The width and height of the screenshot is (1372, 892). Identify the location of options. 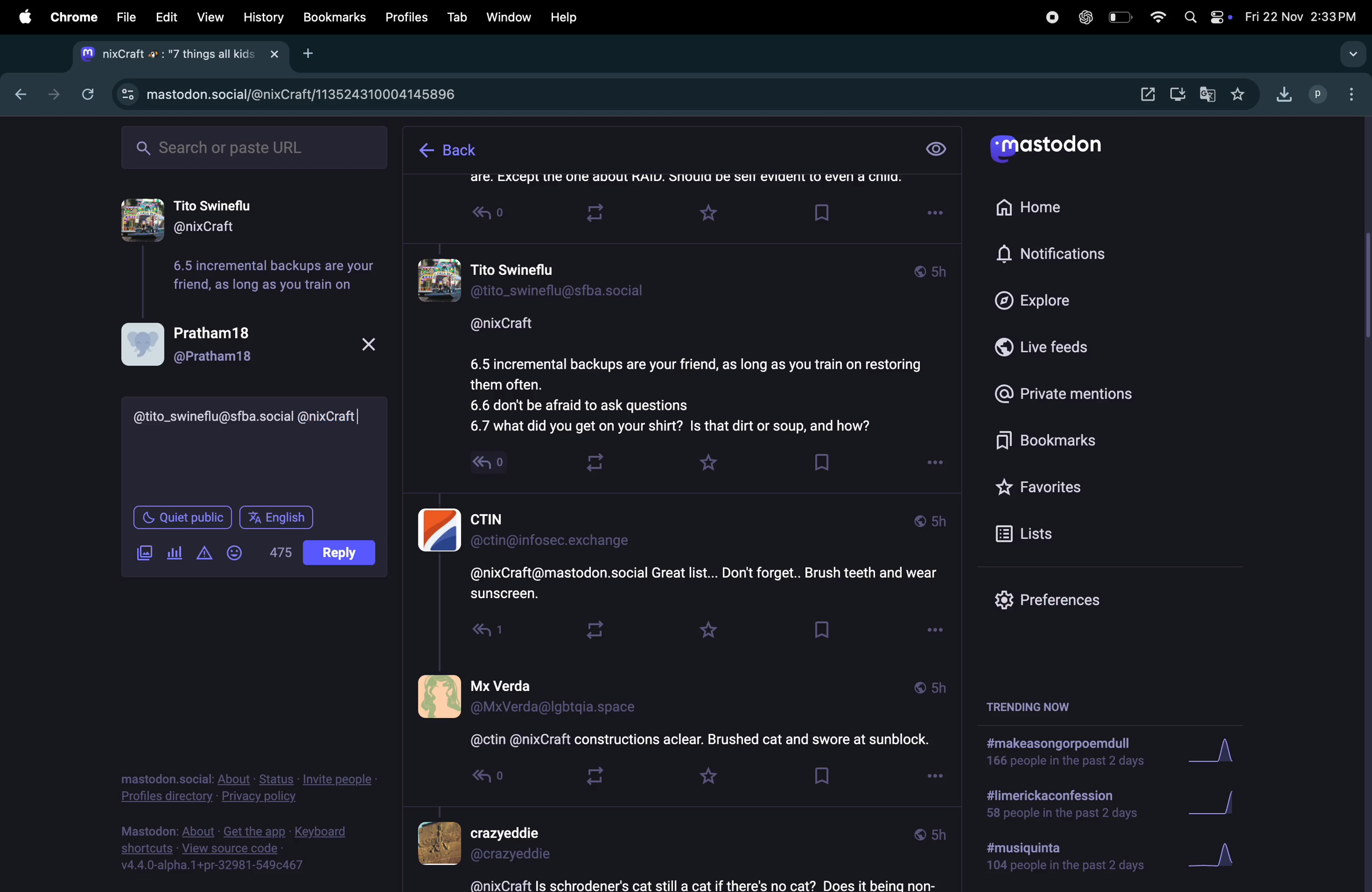
(934, 777).